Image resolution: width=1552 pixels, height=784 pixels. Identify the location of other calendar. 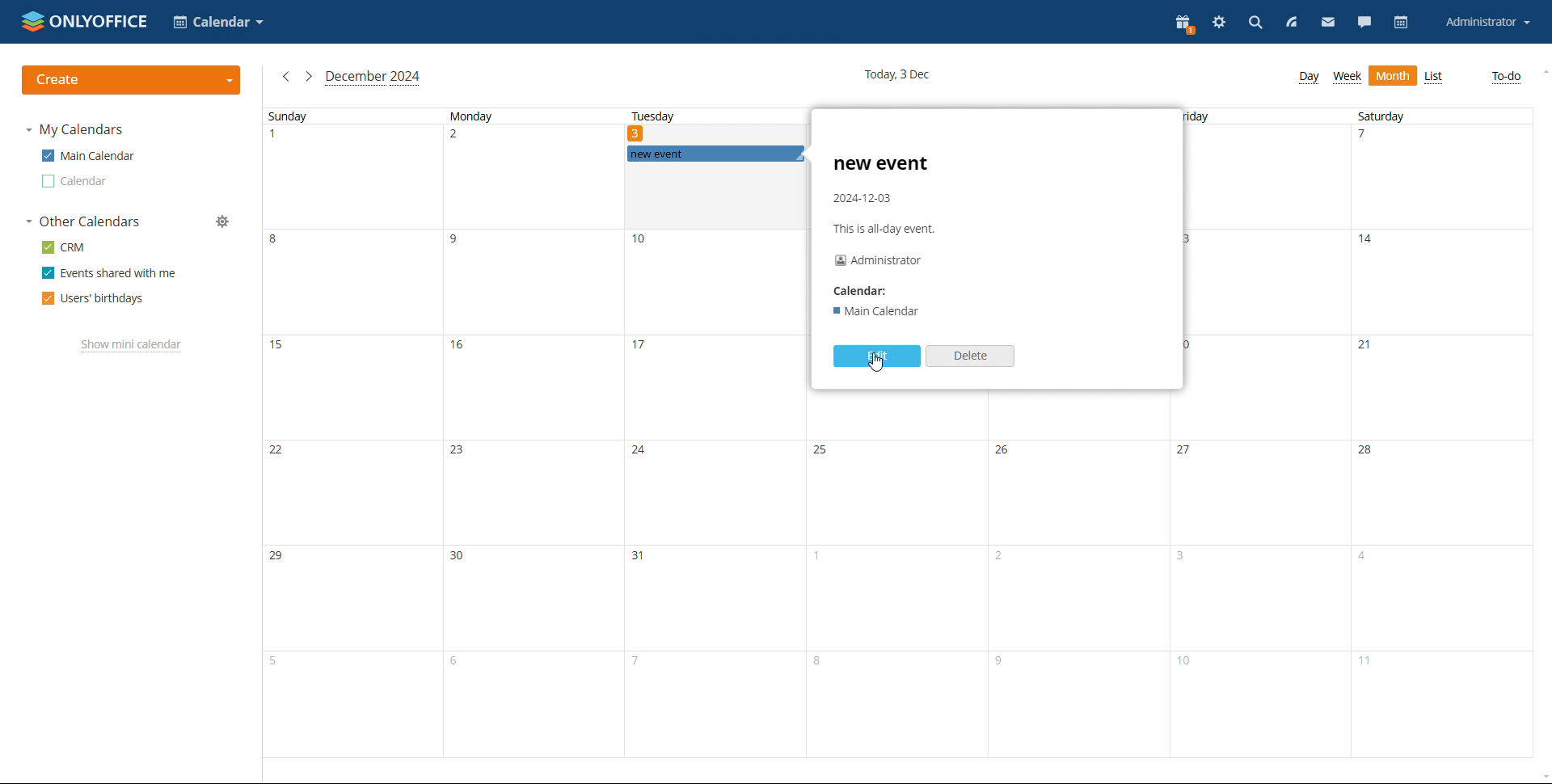
(74, 182).